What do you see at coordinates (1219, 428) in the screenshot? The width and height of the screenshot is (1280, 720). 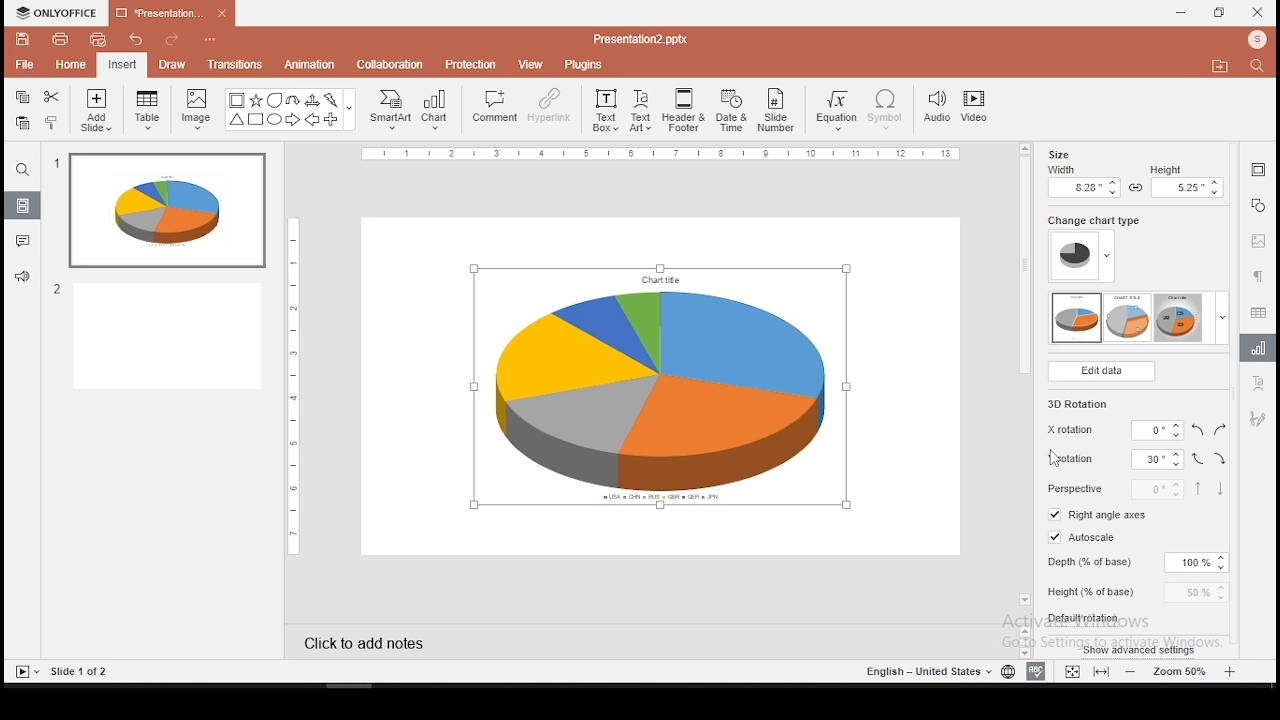 I see `right` at bounding box center [1219, 428].